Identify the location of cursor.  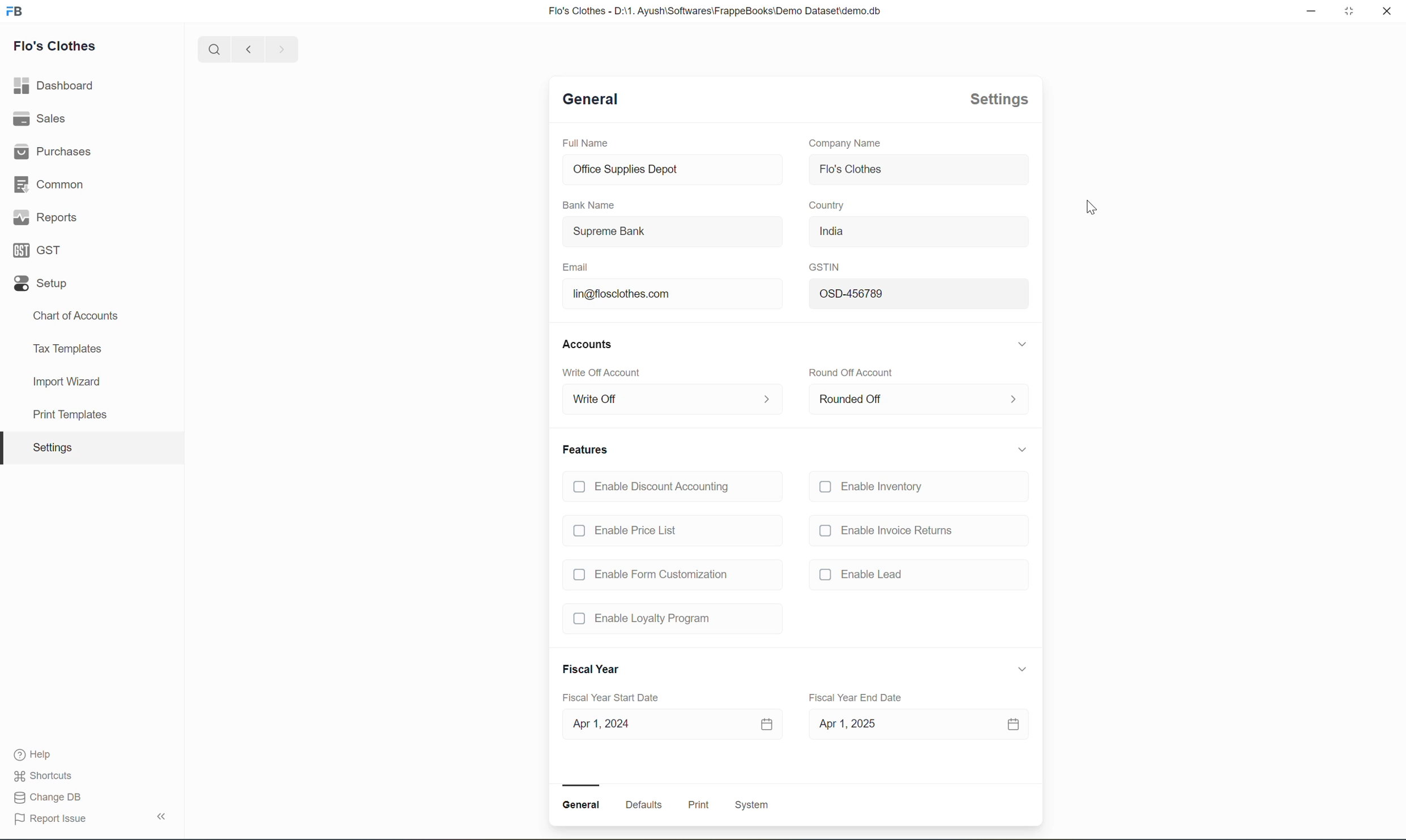
(1093, 207).